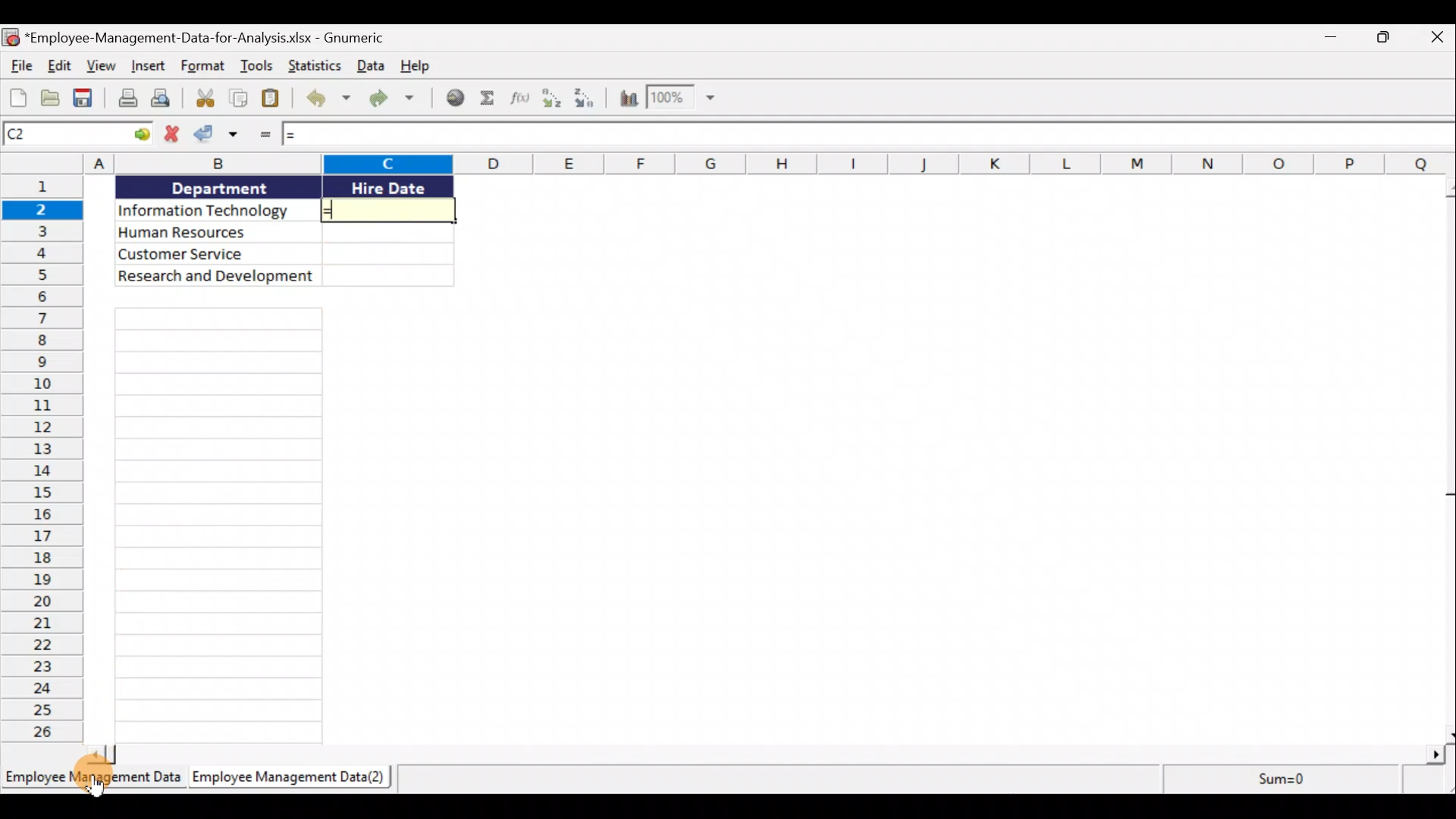  Describe the element at coordinates (1288, 782) in the screenshot. I see `sum=0` at that location.